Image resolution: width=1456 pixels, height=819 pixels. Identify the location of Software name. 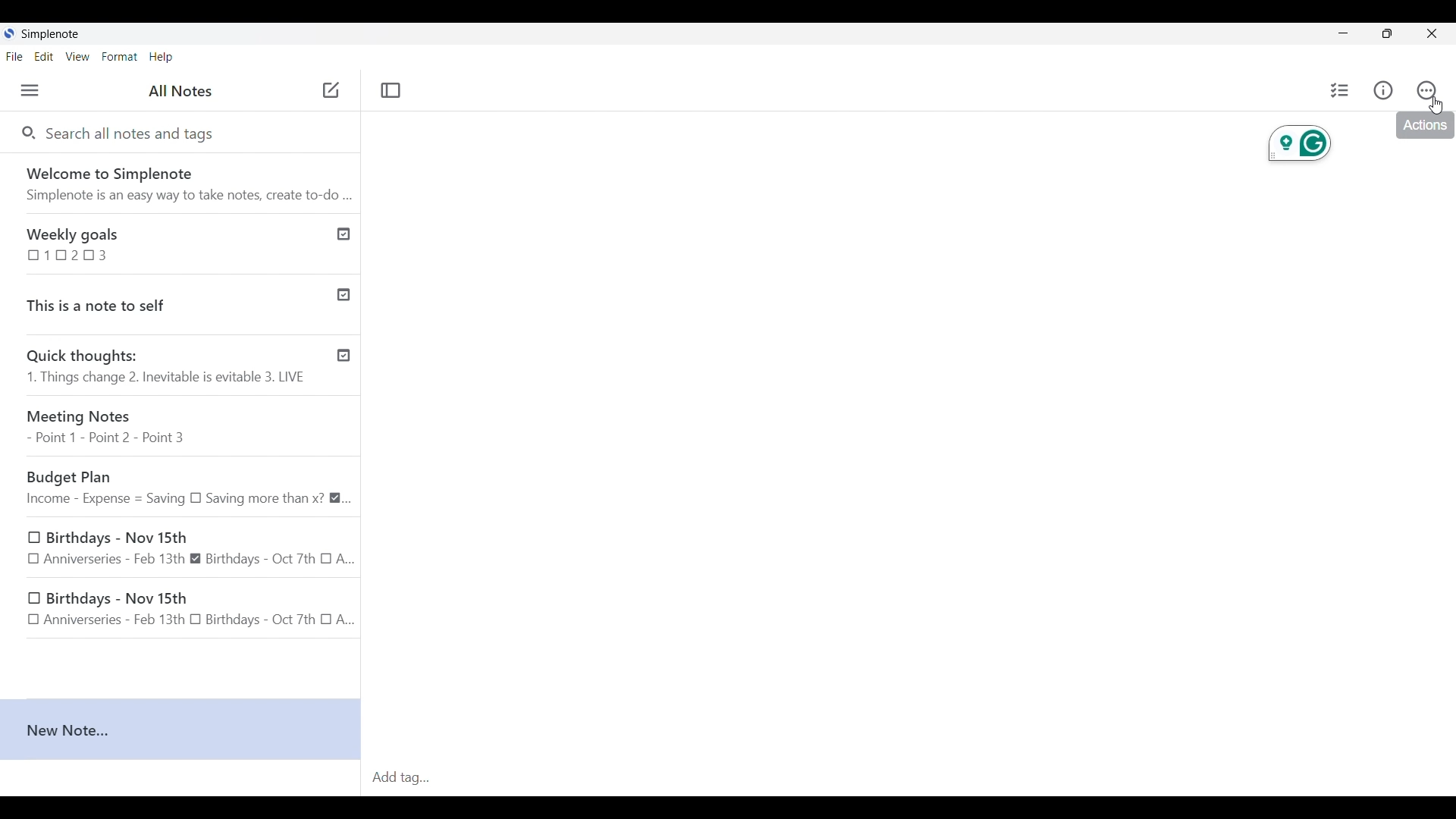
(50, 34).